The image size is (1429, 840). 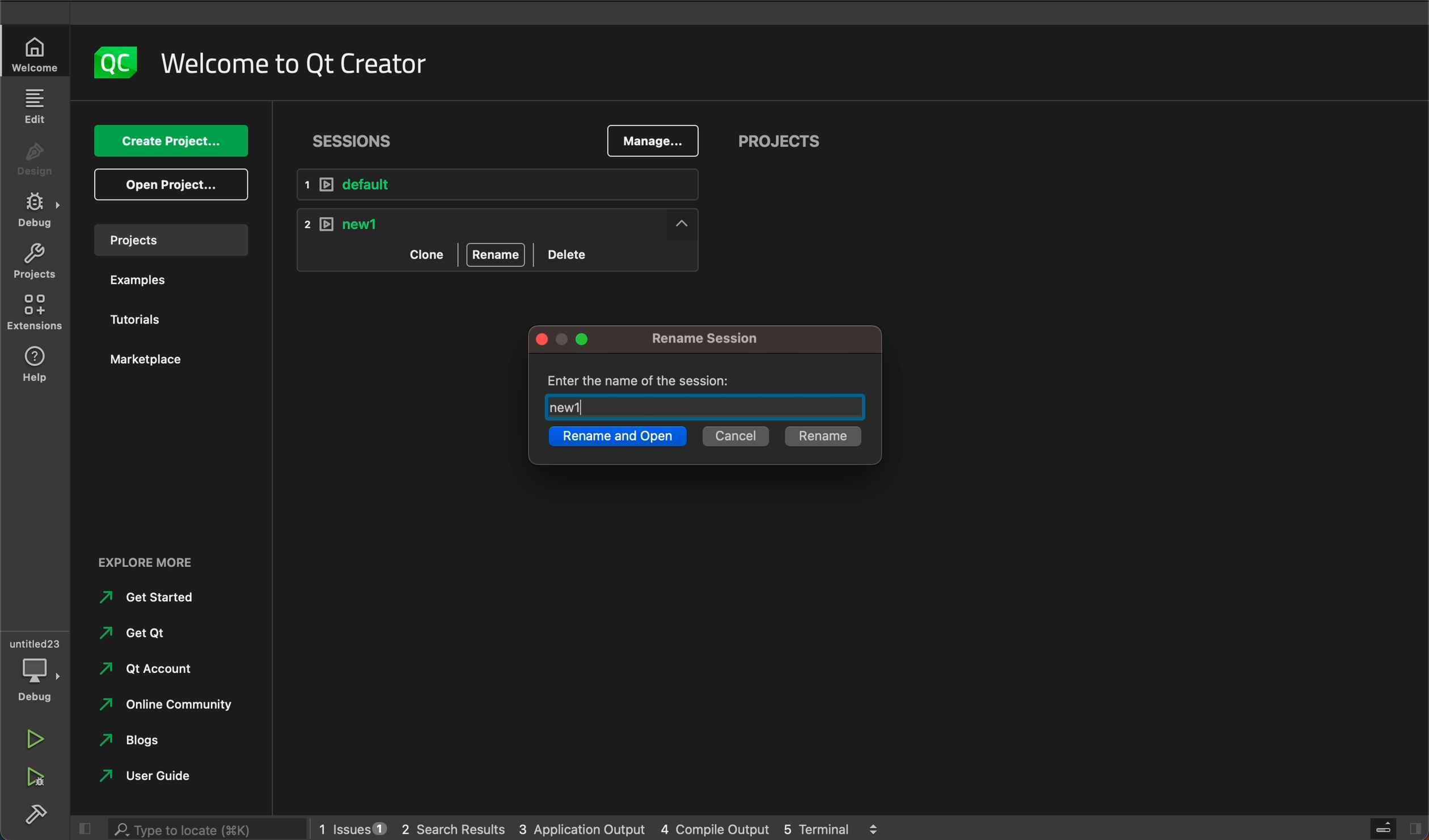 I want to click on MANAGE, so click(x=652, y=142).